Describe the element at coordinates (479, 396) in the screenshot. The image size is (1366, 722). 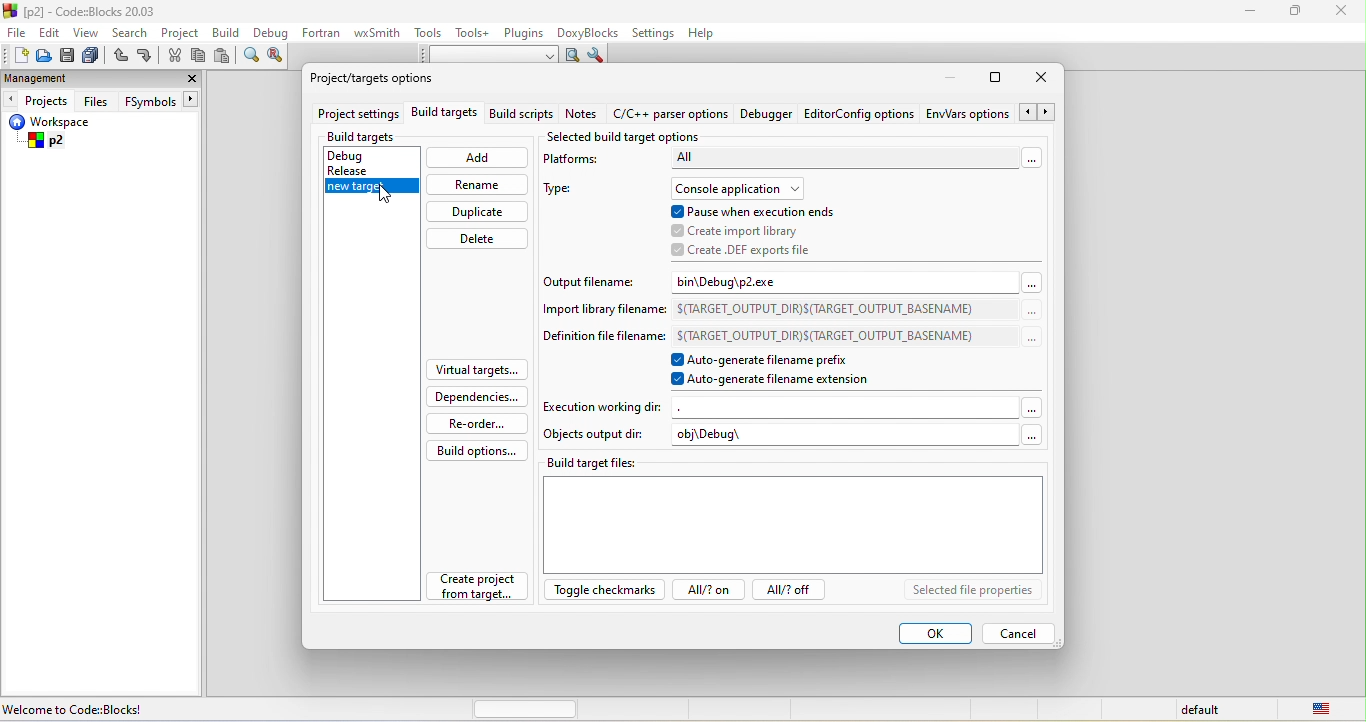
I see `dependencies` at that location.